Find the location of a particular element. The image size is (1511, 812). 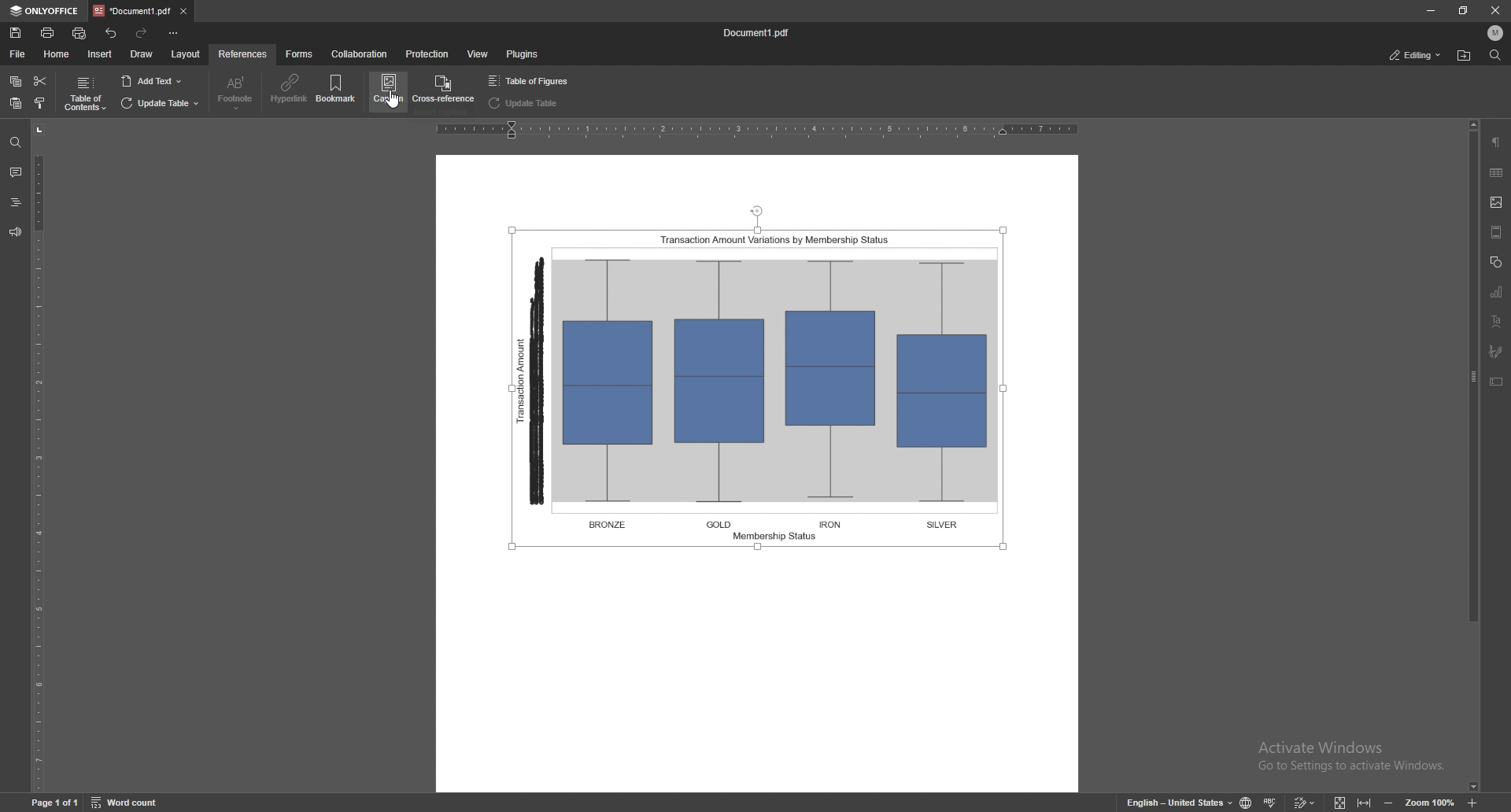

quick print is located at coordinates (82, 33).